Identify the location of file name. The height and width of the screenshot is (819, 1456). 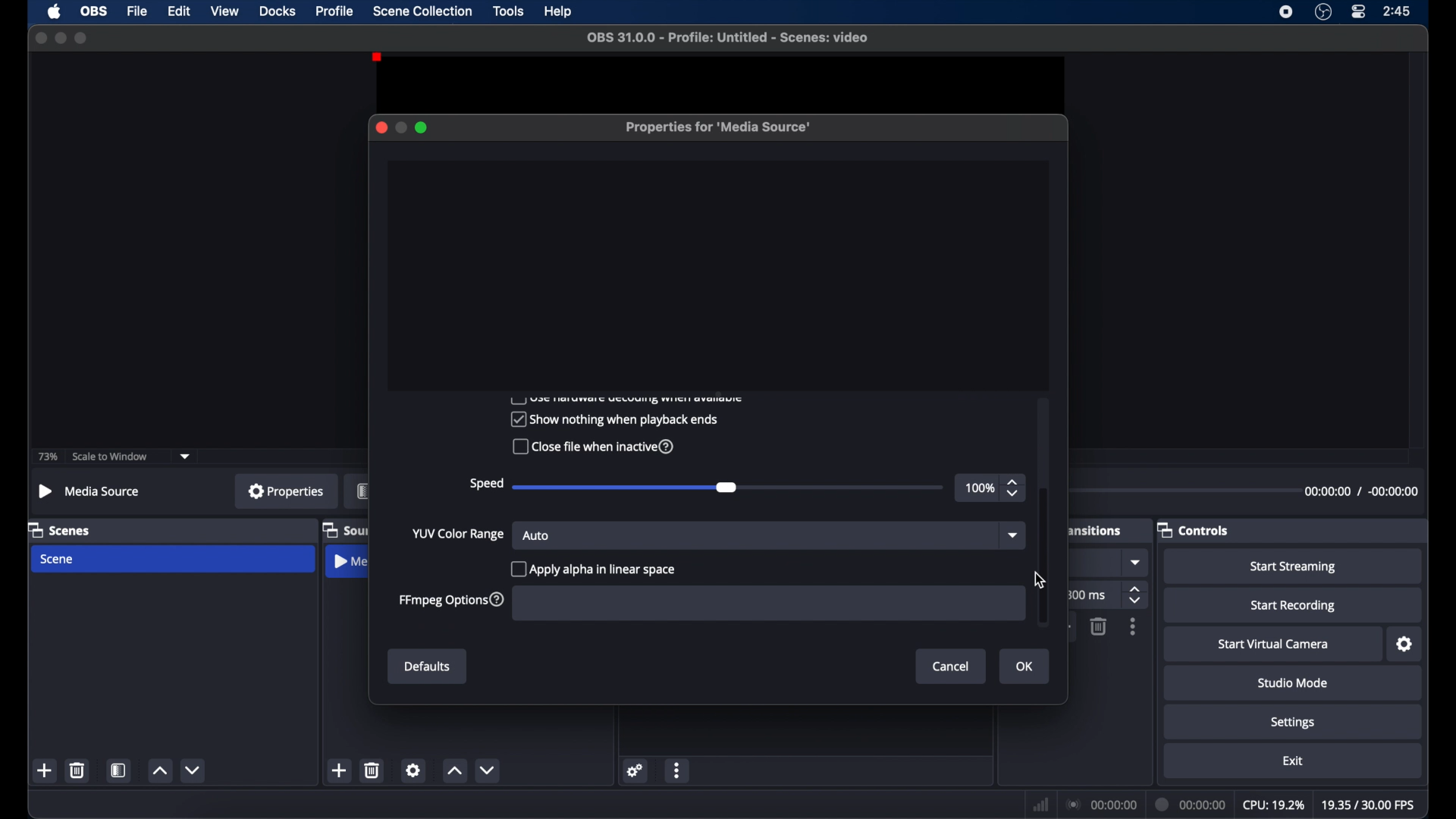
(727, 37).